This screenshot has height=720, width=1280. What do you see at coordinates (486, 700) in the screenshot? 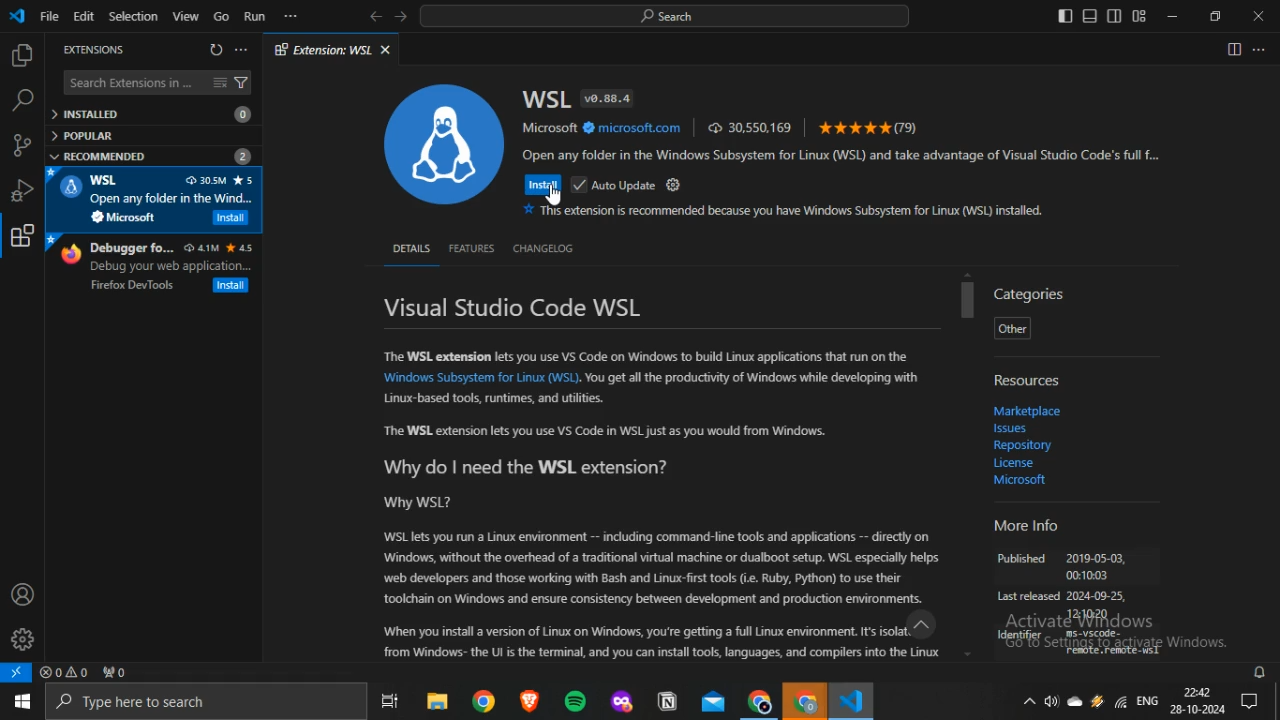
I see `google chrome` at bounding box center [486, 700].